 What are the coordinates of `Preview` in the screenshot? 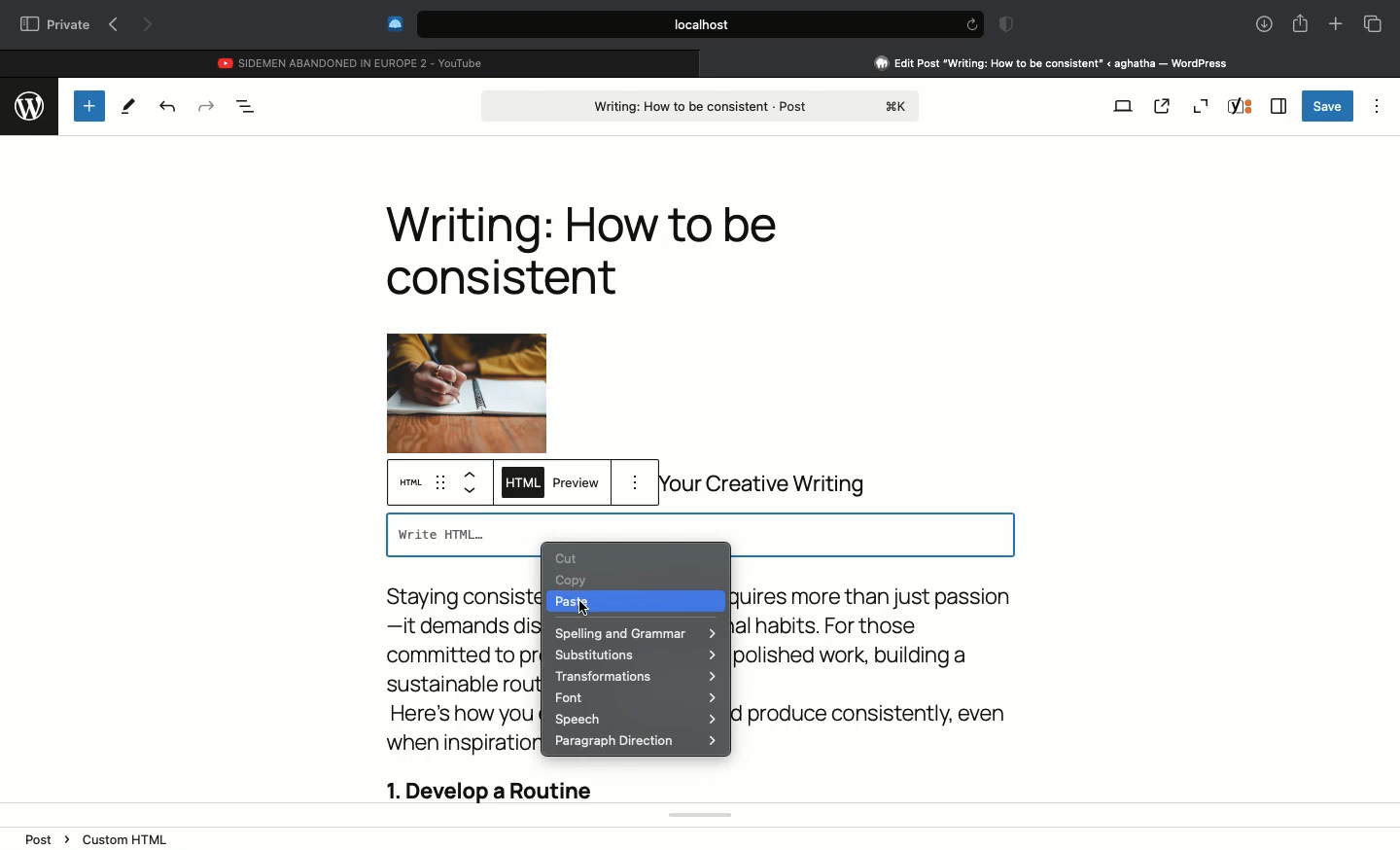 It's located at (577, 485).